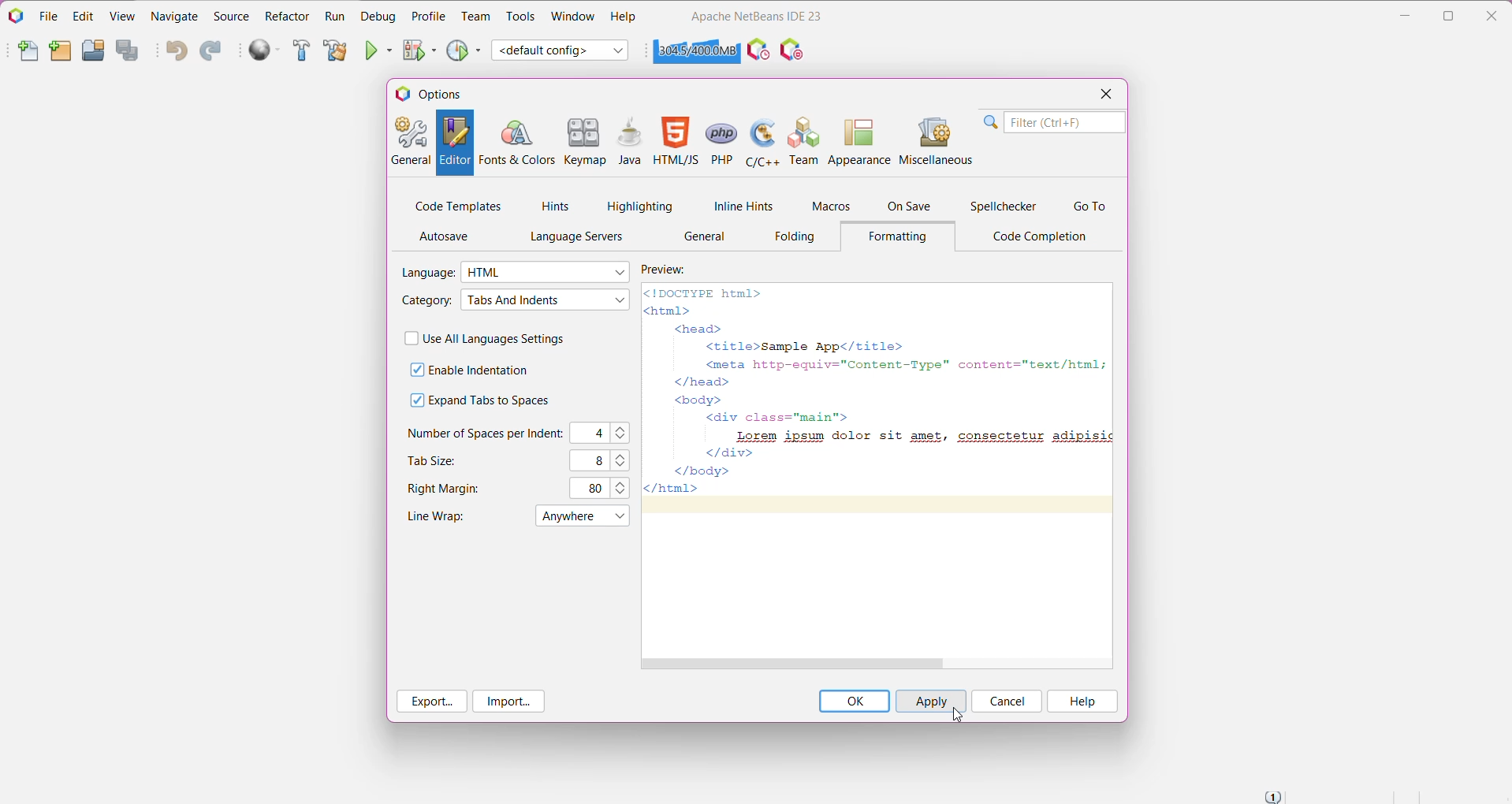 This screenshot has height=804, width=1512. I want to click on Editor, so click(455, 143).